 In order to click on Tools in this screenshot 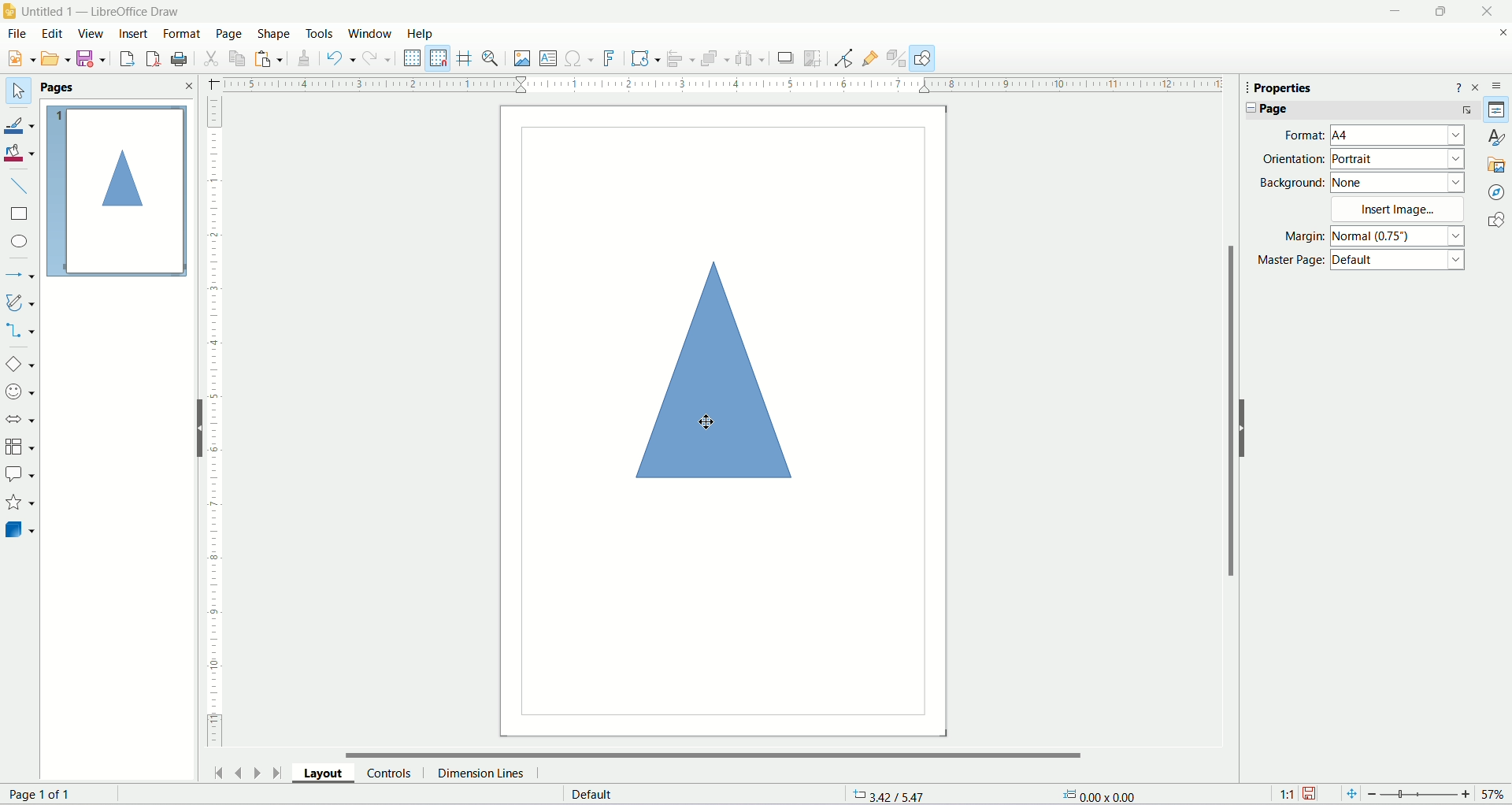, I will do `click(320, 33)`.